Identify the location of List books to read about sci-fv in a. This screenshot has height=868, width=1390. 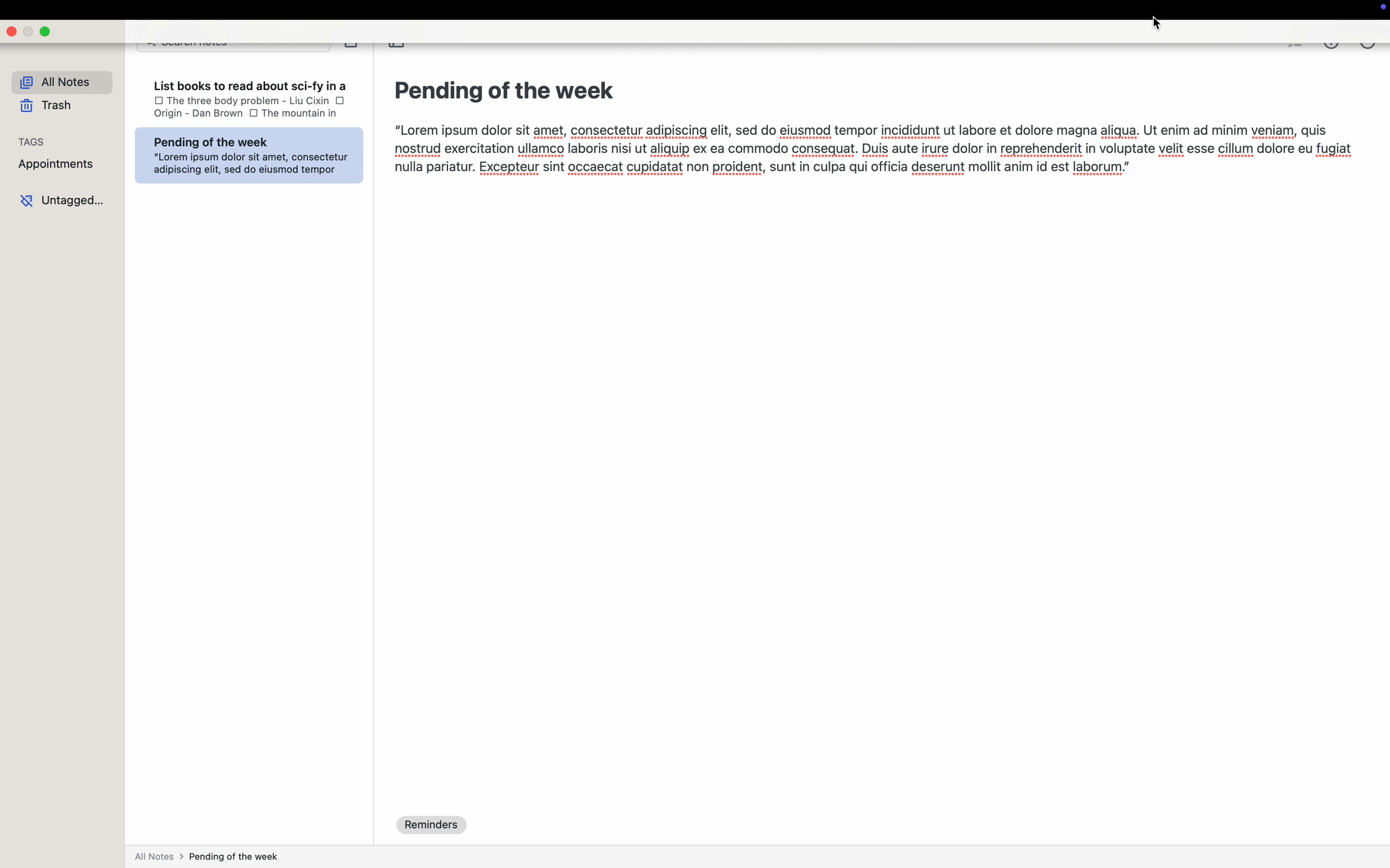
(249, 83).